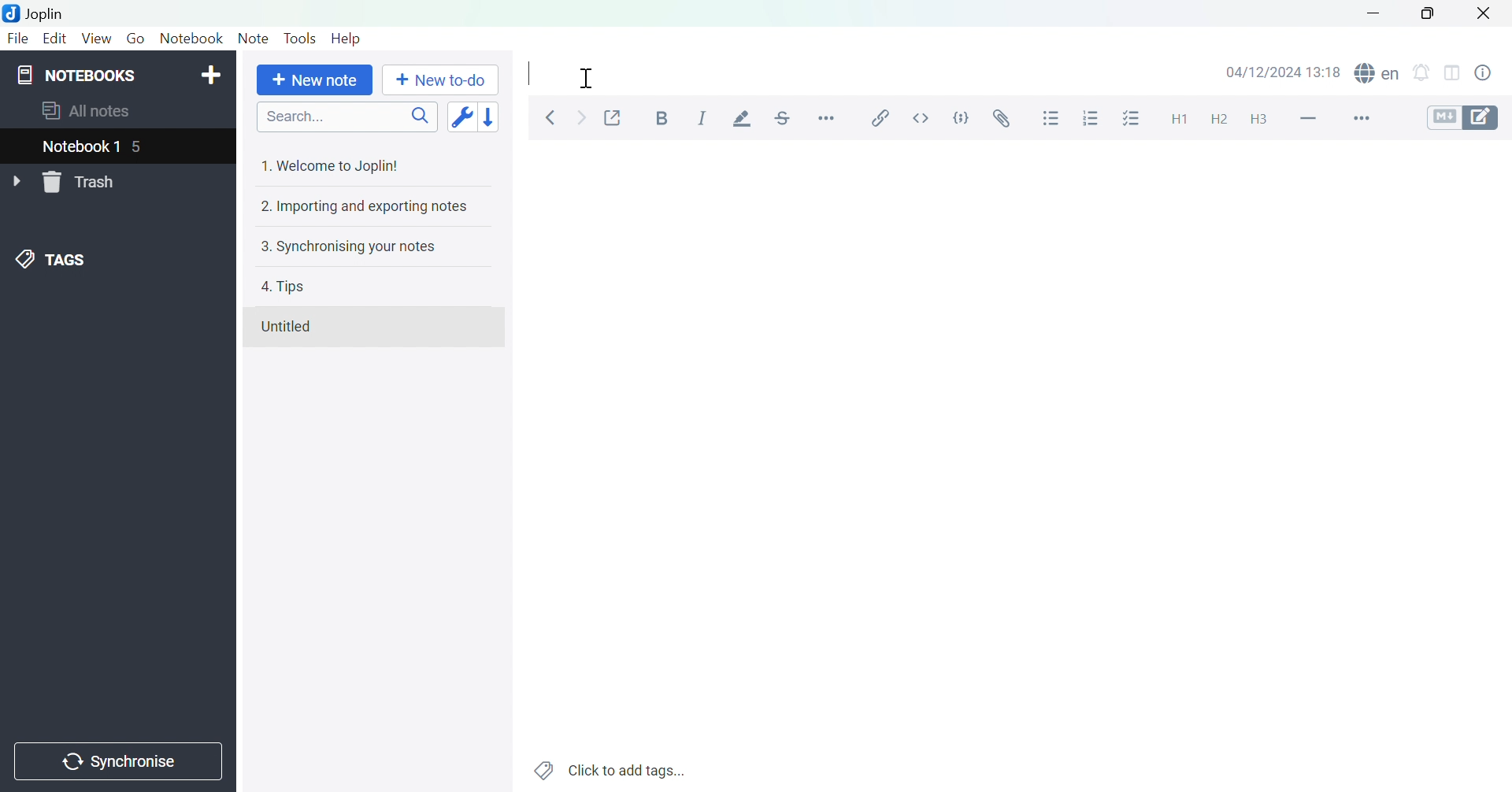 Image resolution: width=1512 pixels, height=792 pixels. Describe the element at coordinates (1371, 13) in the screenshot. I see `Minimize` at that location.